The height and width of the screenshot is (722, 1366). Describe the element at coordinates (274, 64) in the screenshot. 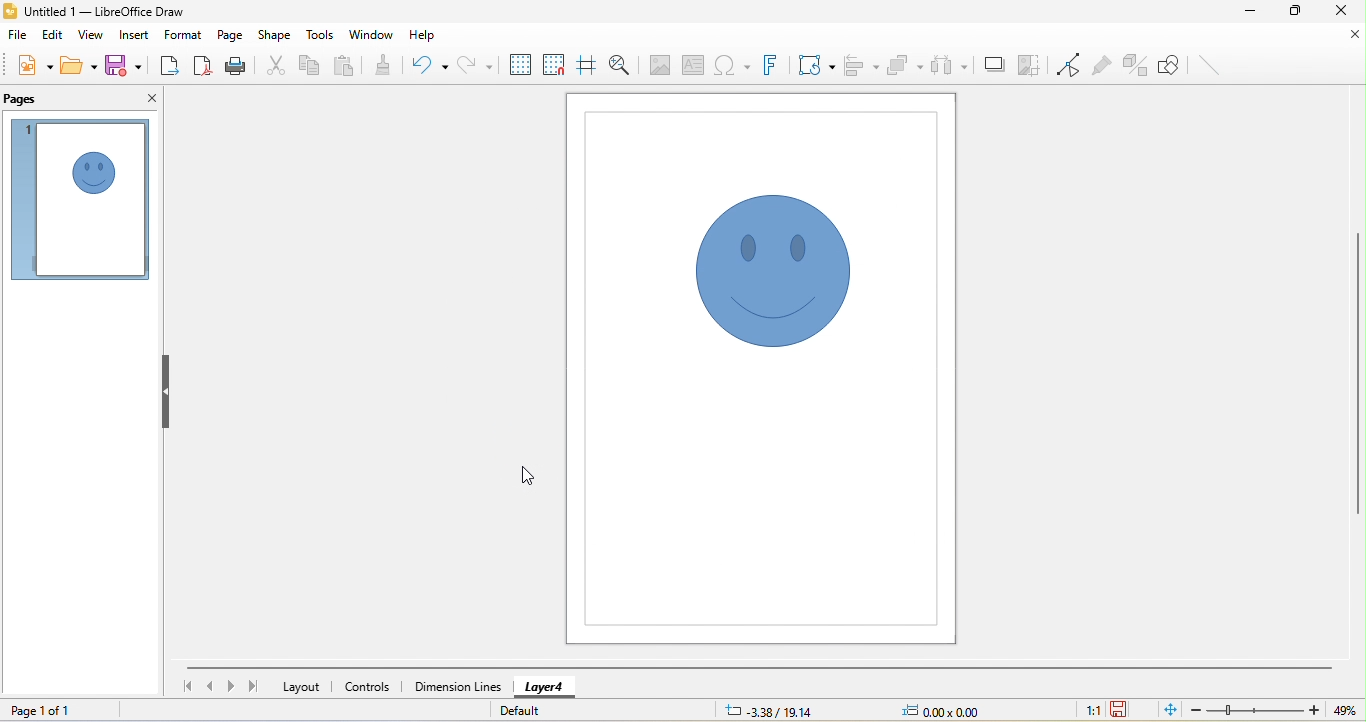

I see `cut` at that location.